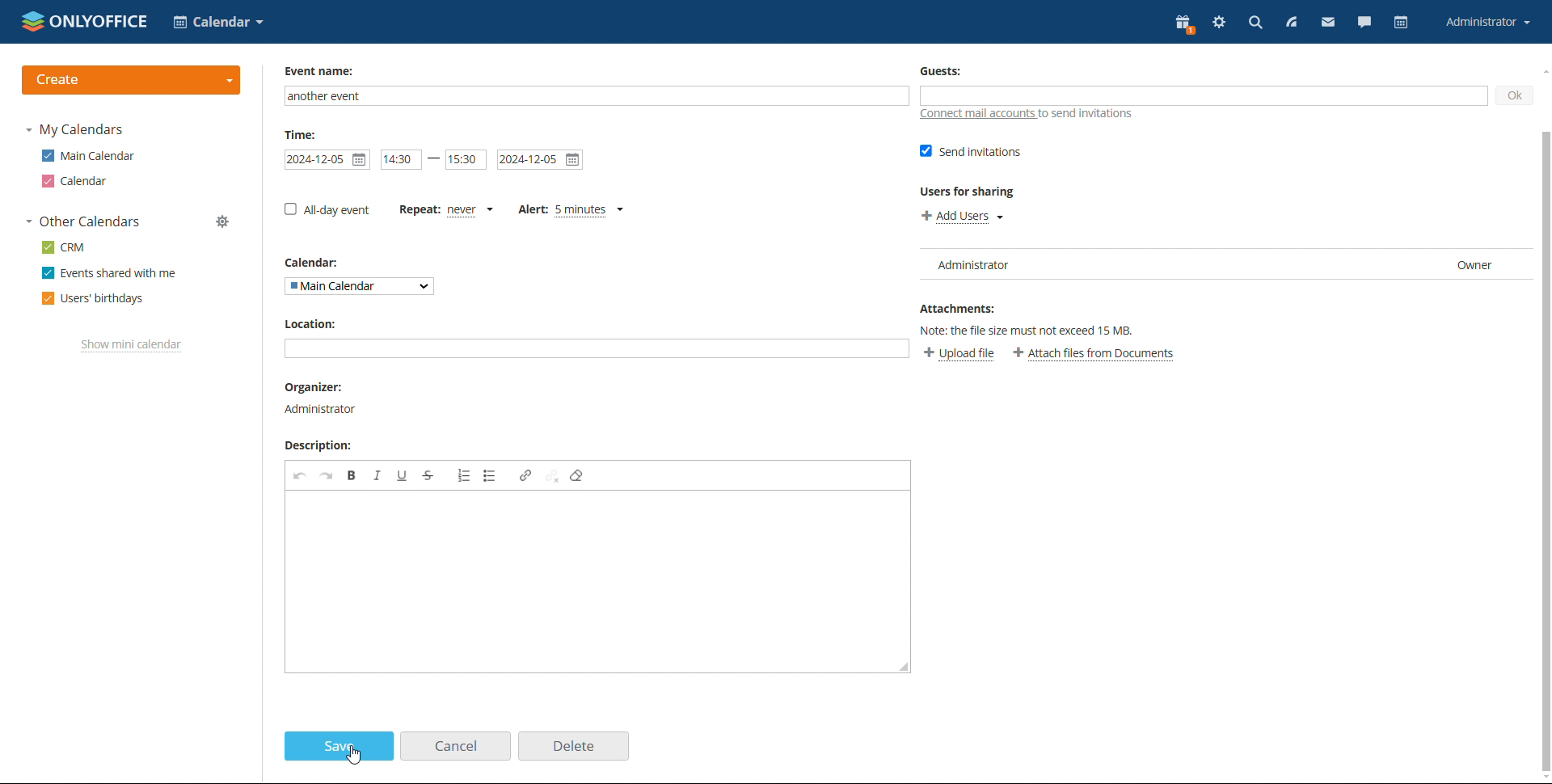  Describe the element at coordinates (525, 475) in the screenshot. I see `link` at that location.